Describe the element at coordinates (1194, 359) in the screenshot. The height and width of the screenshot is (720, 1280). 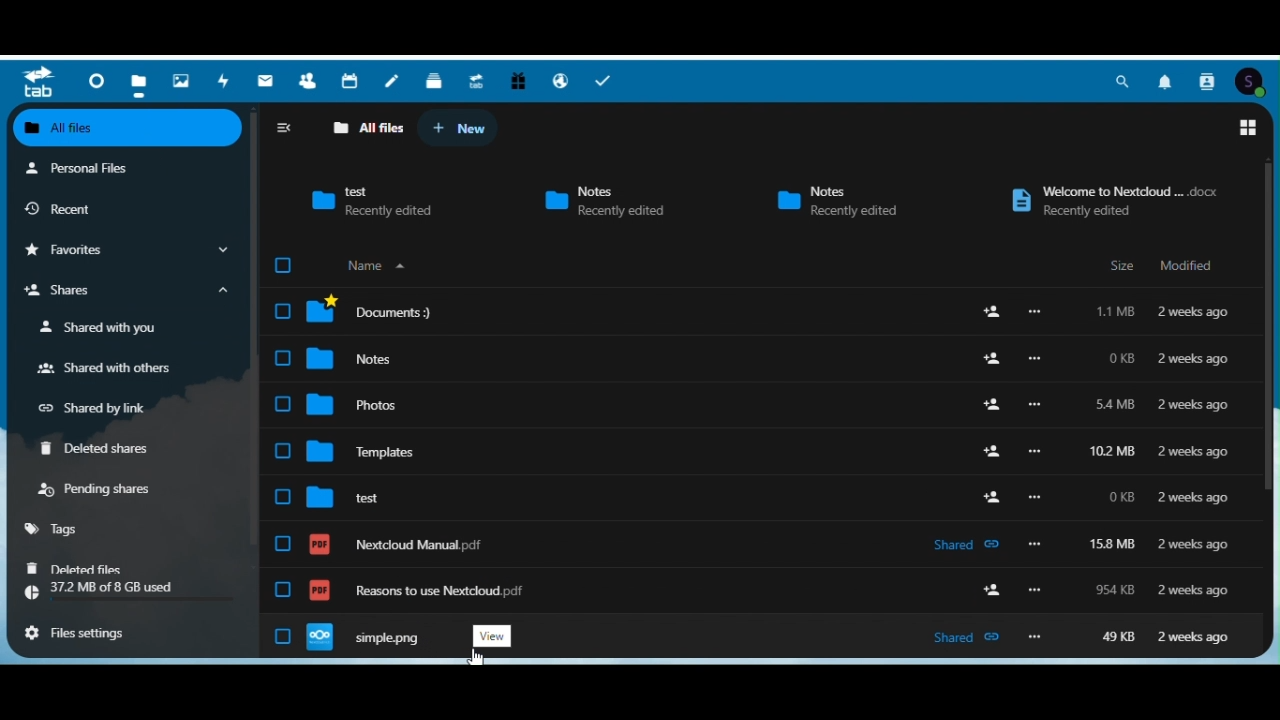
I see `modified` at that location.